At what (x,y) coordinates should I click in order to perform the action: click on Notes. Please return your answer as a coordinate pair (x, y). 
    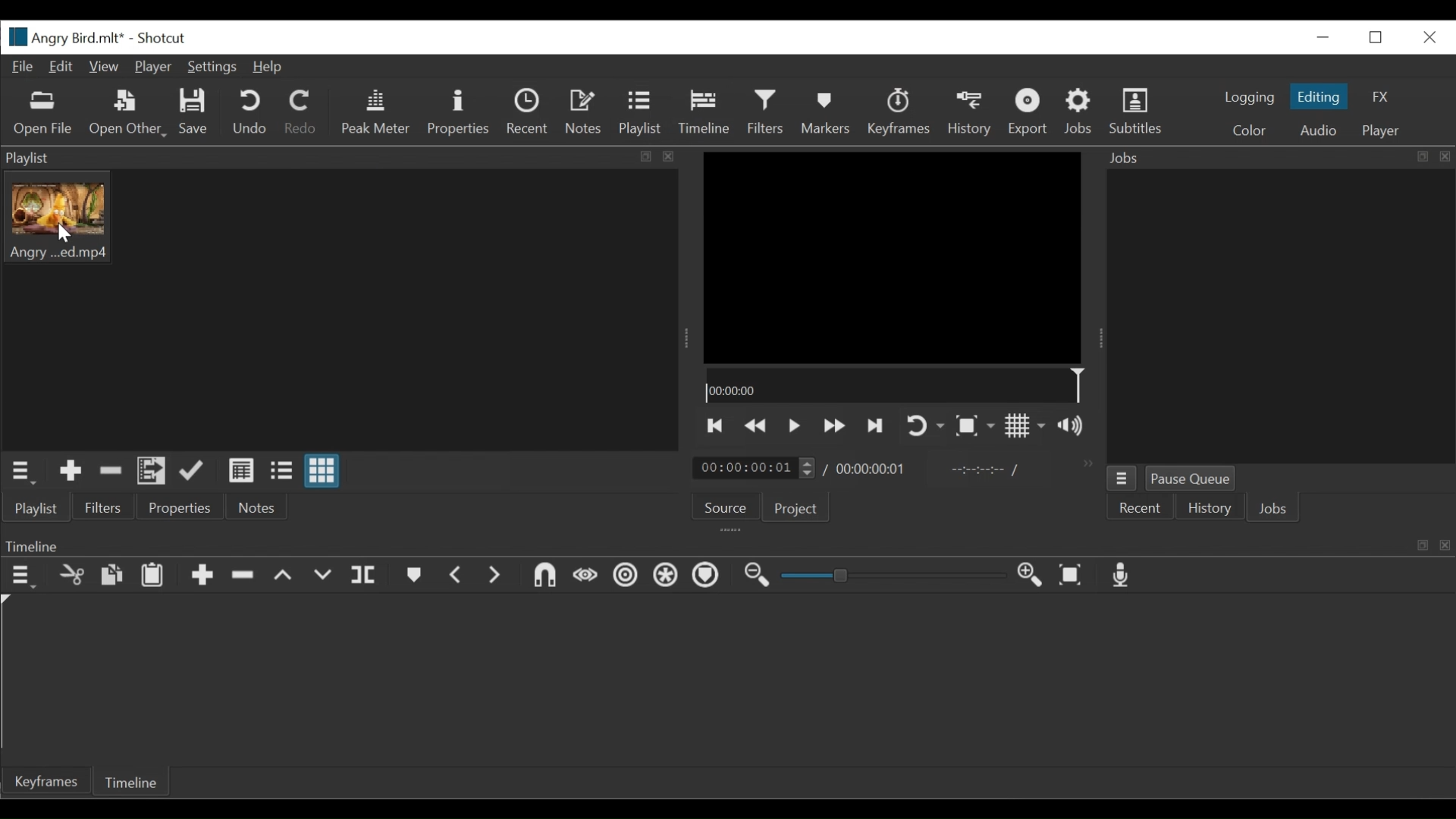
    Looking at the image, I should click on (254, 509).